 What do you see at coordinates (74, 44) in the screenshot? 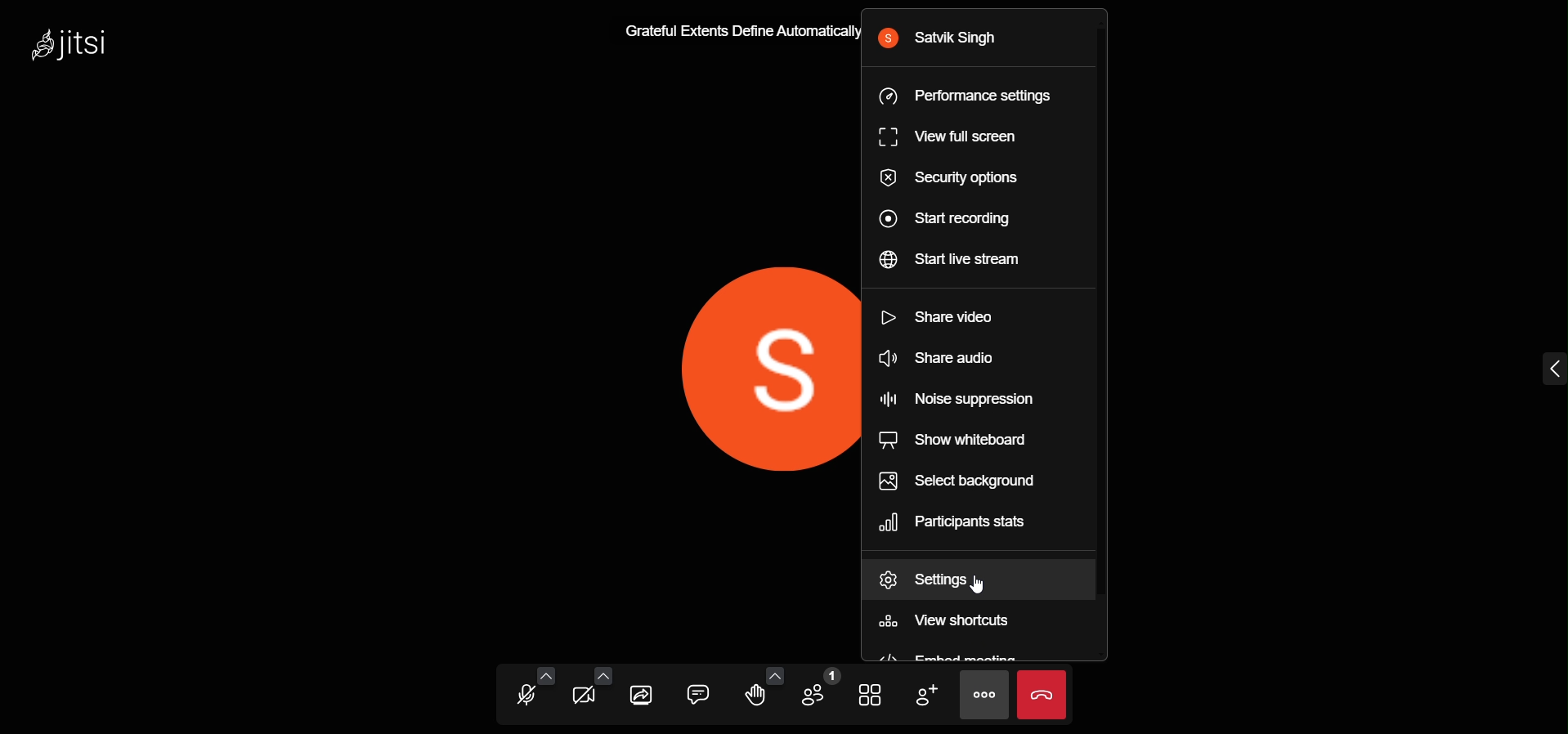
I see `logo` at bounding box center [74, 44].